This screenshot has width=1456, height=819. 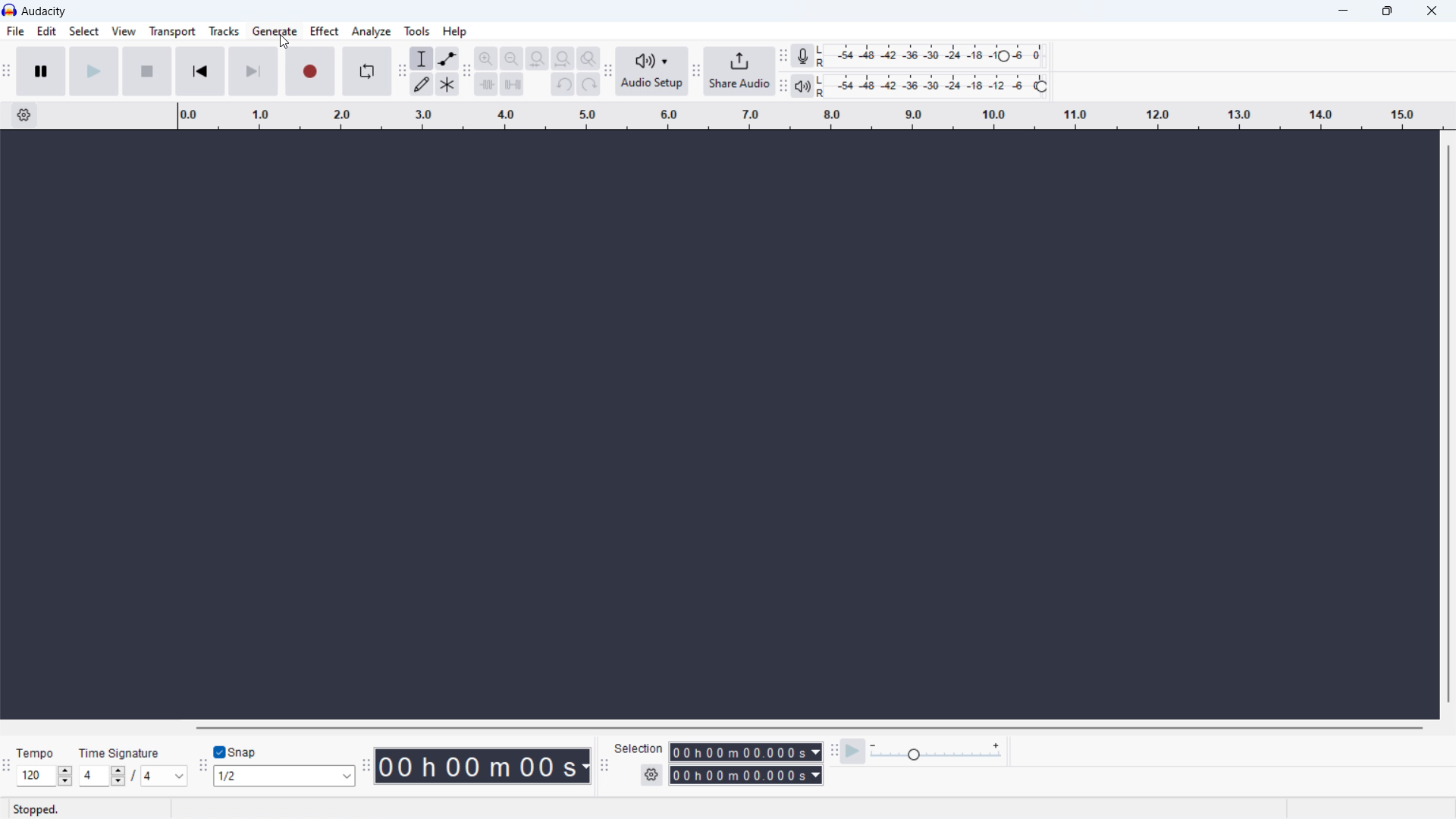 What do you see at coordinates (802, 86) in the screenshot?
I see `playback meter` at bounding box center [802, 86].